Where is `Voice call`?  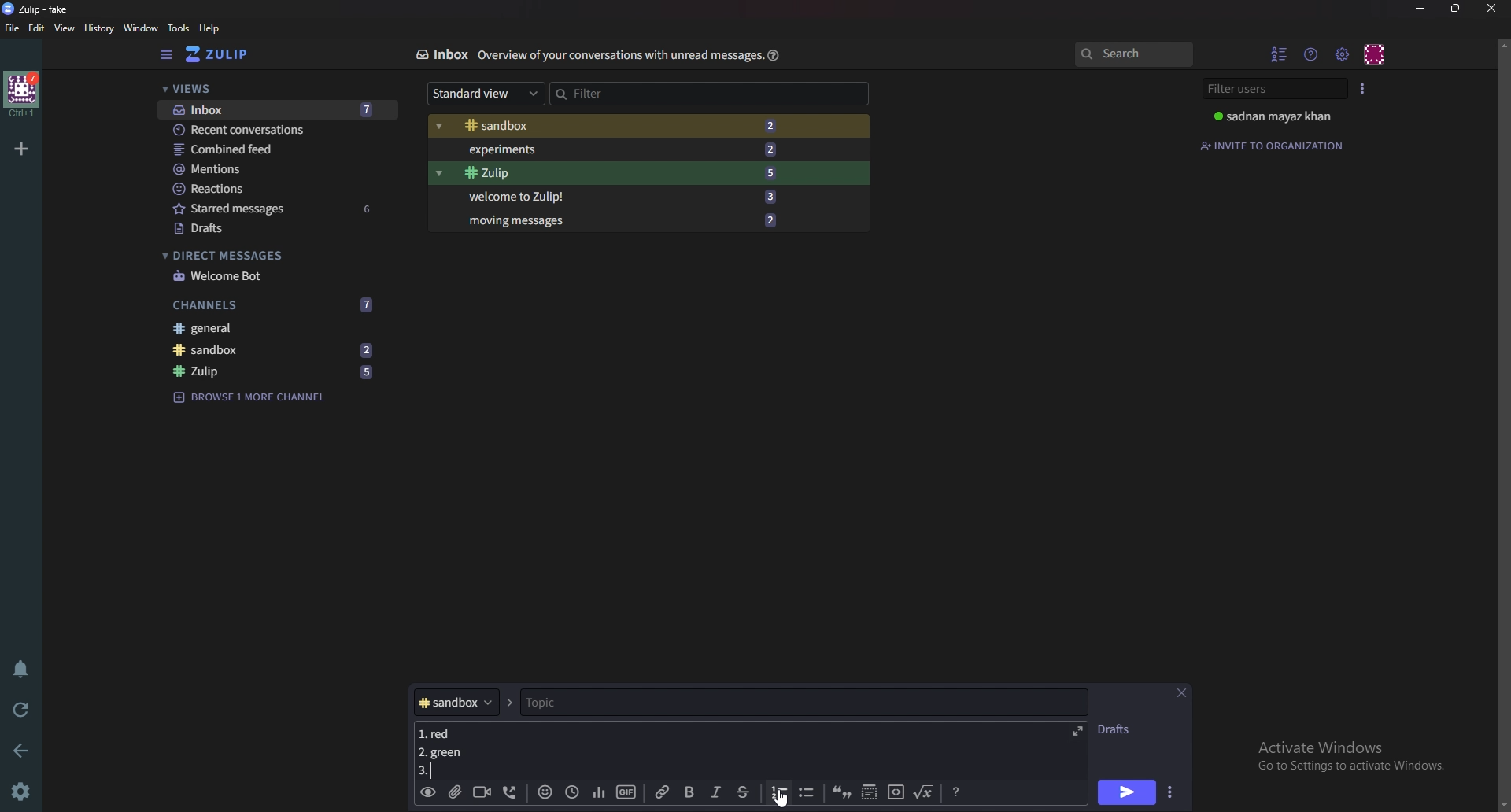 Voice call is located at coordinates (508, 794).